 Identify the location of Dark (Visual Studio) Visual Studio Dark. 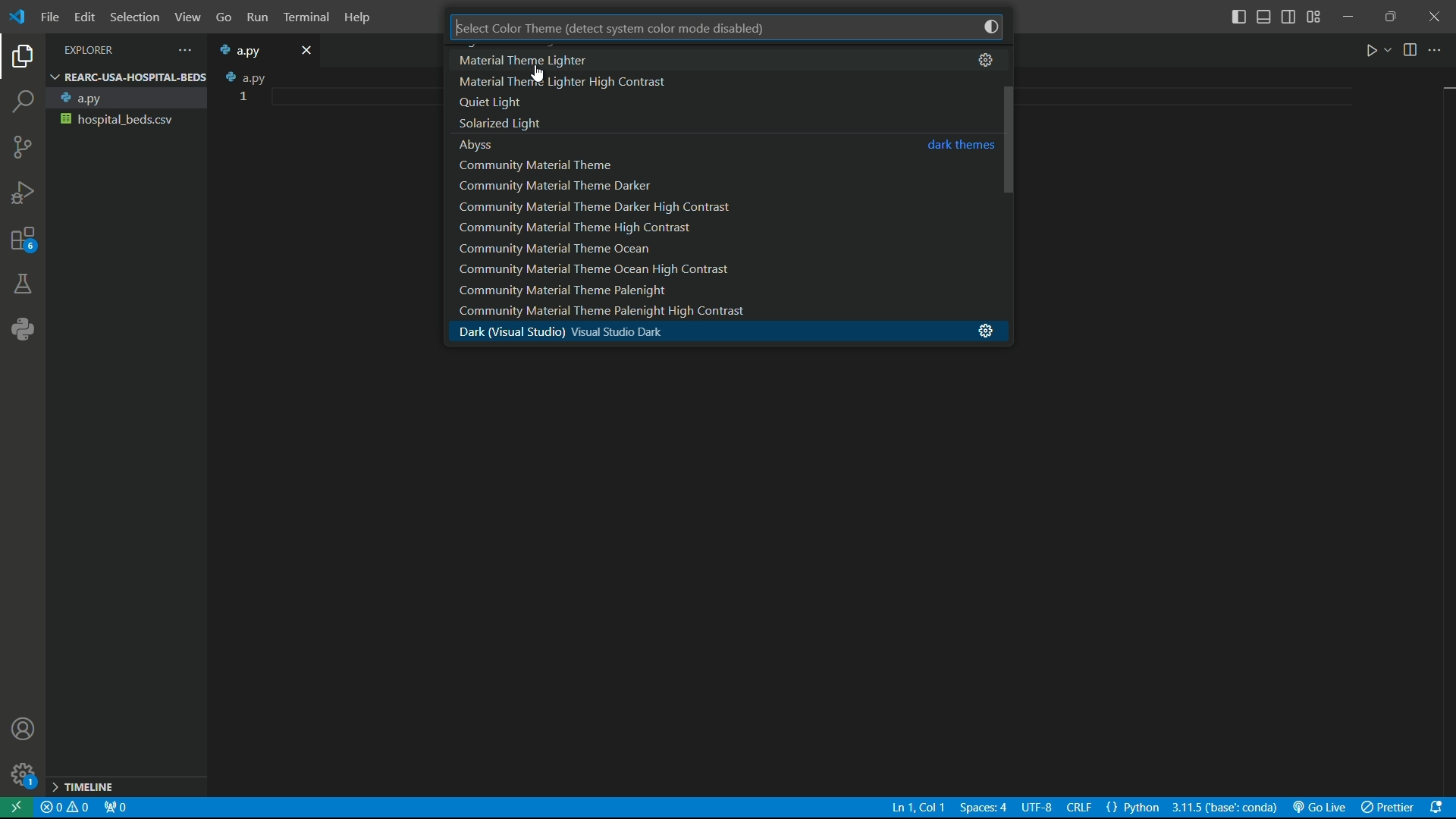
(588, 332).